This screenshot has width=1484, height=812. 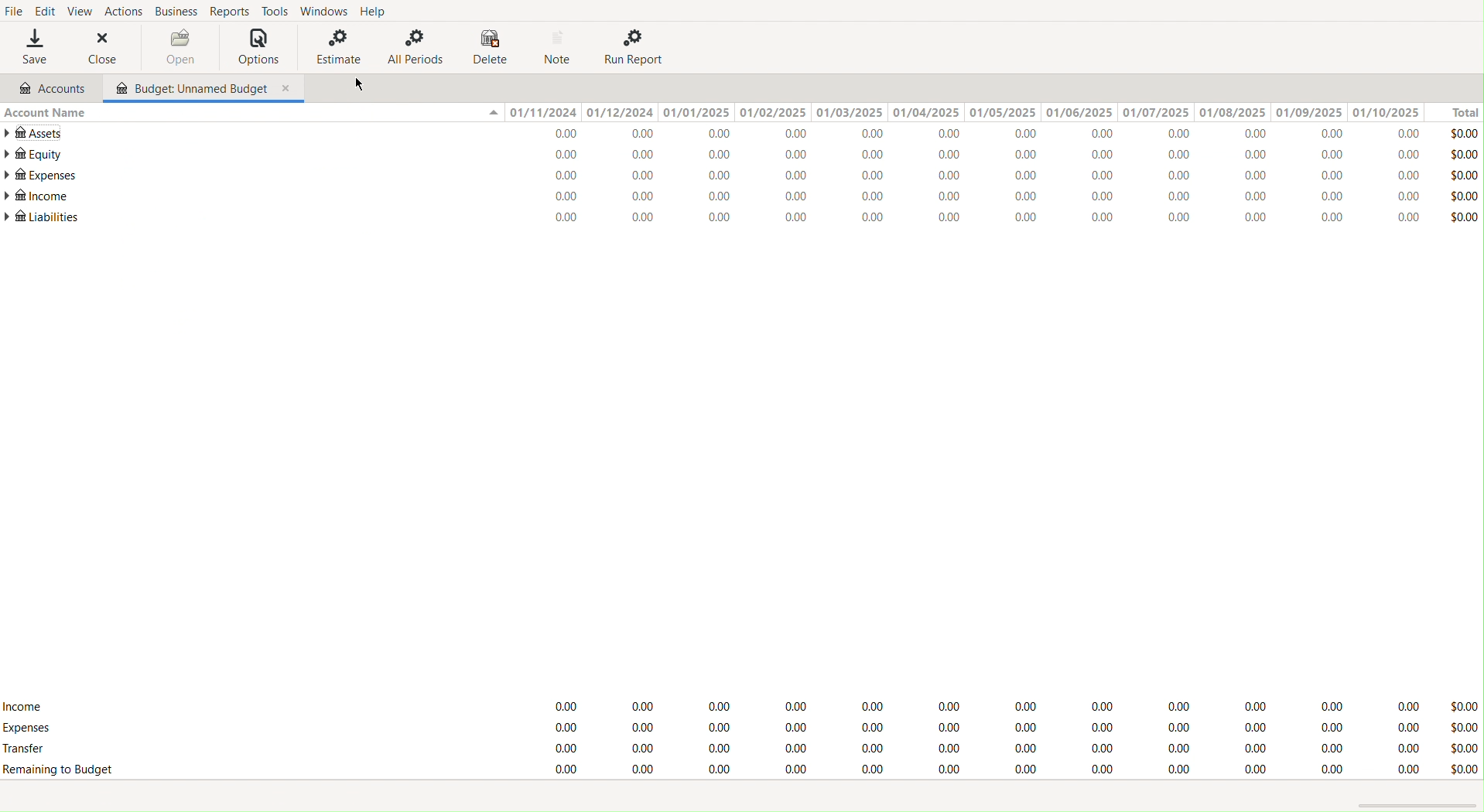 I want to click on All Periods, so click(x=414, y=46).